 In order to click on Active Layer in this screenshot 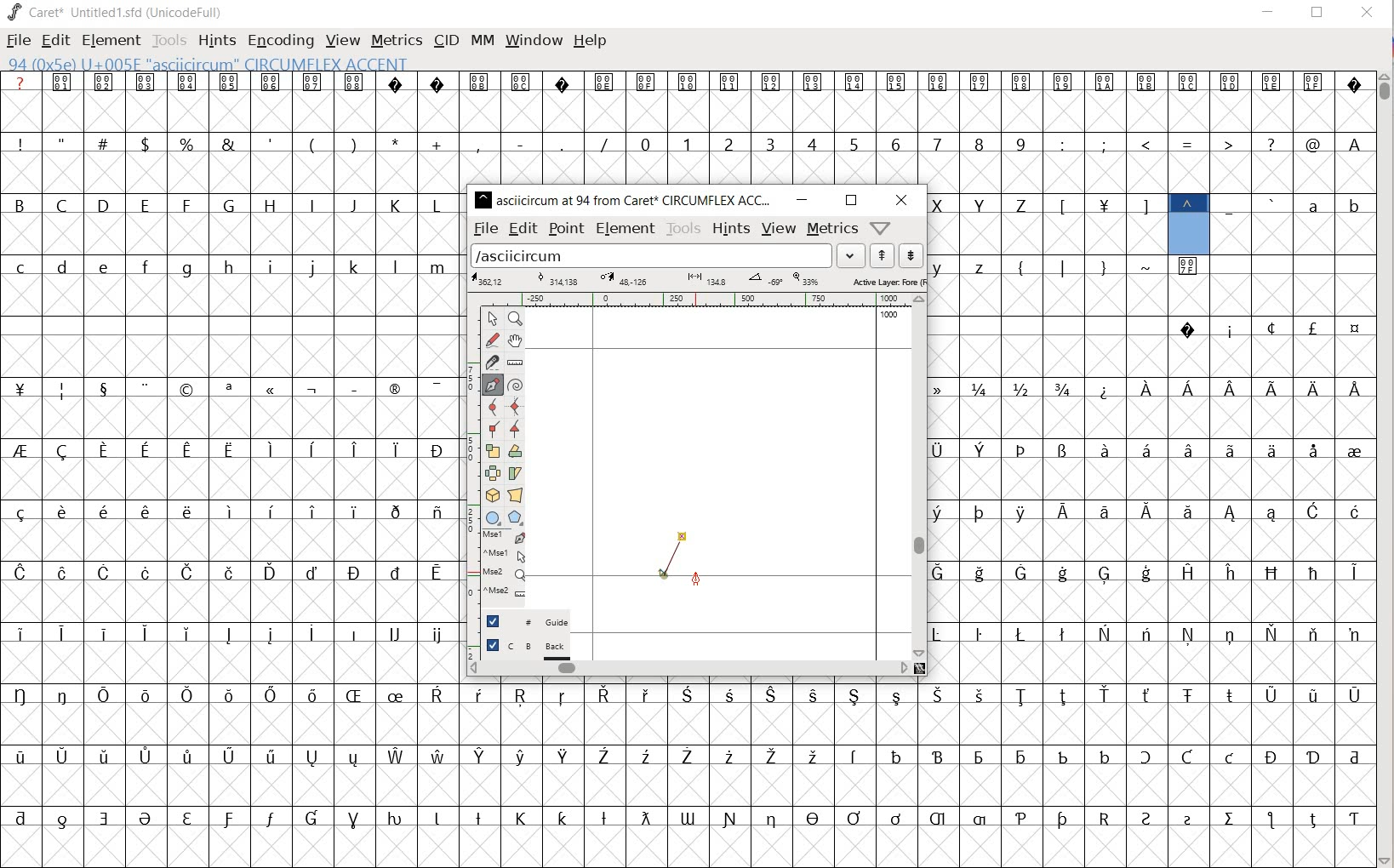, I will do `click(697, 280)`.